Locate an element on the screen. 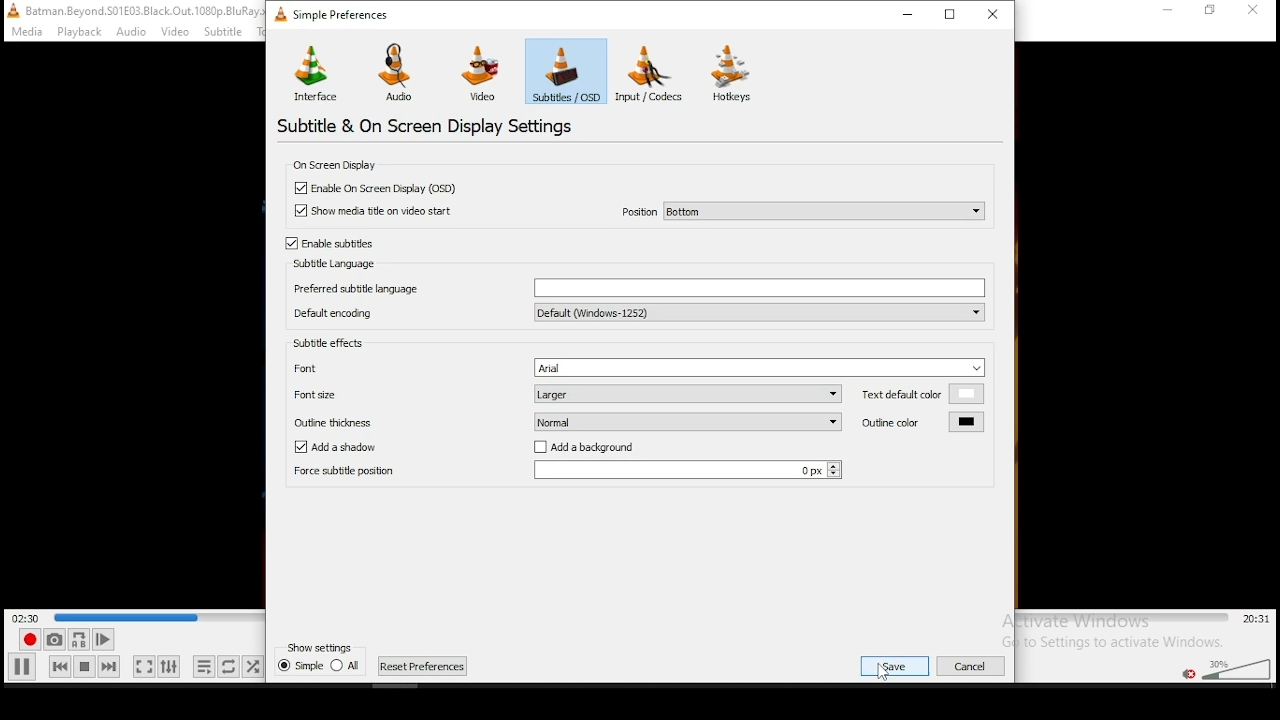  font size  Larger is located at coordinates (565, 393).